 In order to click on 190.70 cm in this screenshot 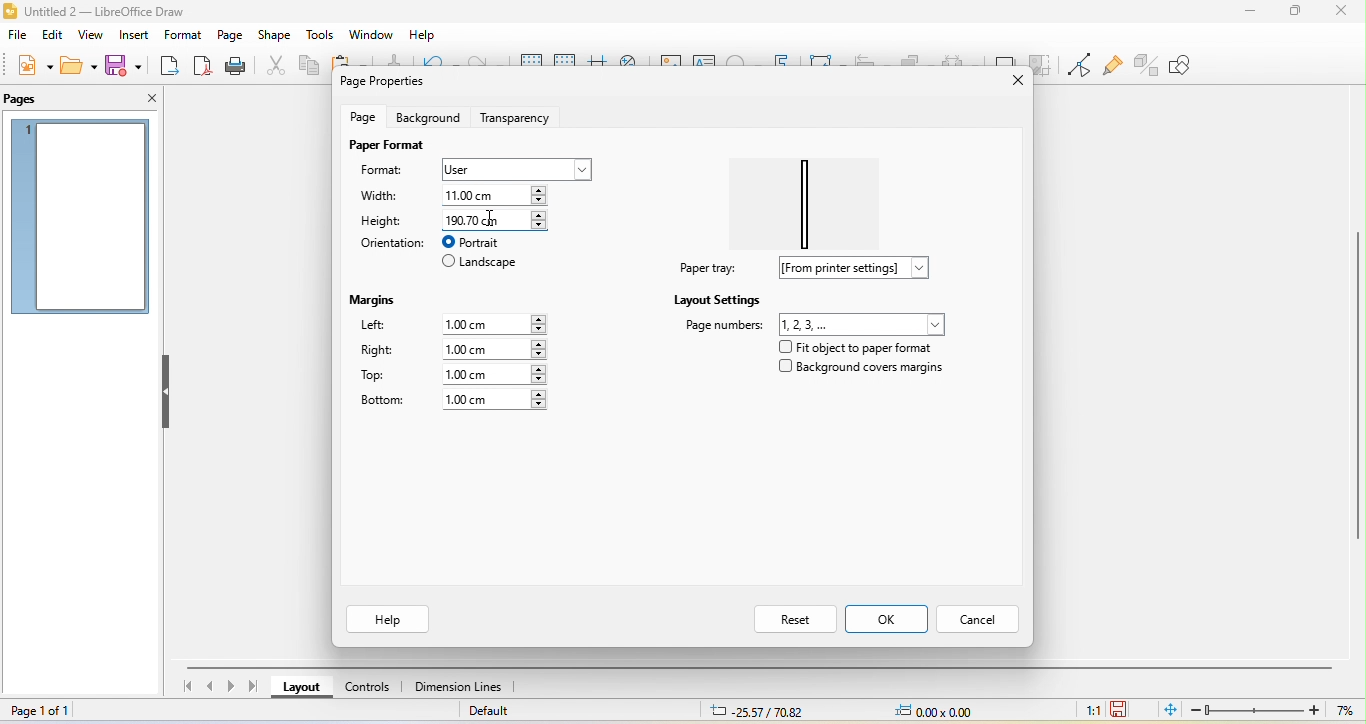, I will do `click(495, 218)`.